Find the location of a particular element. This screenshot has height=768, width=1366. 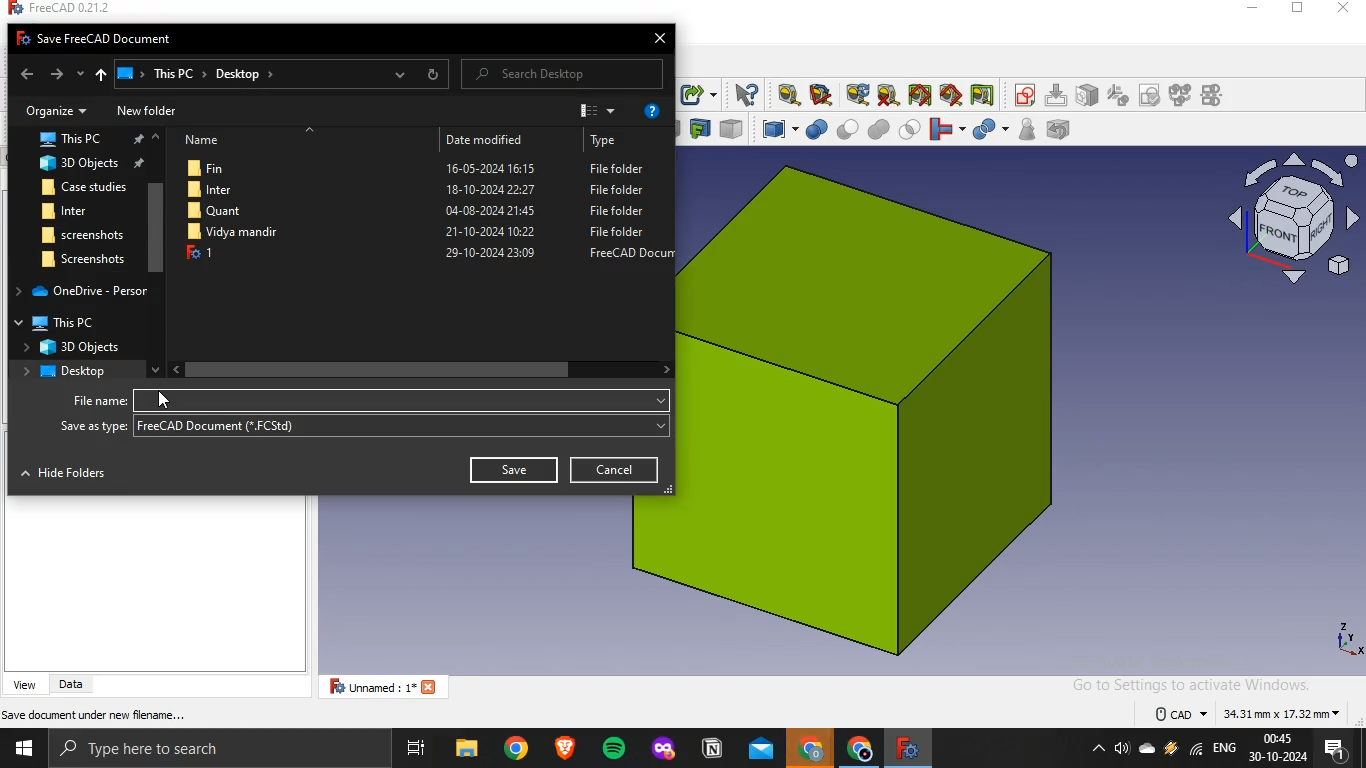

view is located at coordinates (595, 109).